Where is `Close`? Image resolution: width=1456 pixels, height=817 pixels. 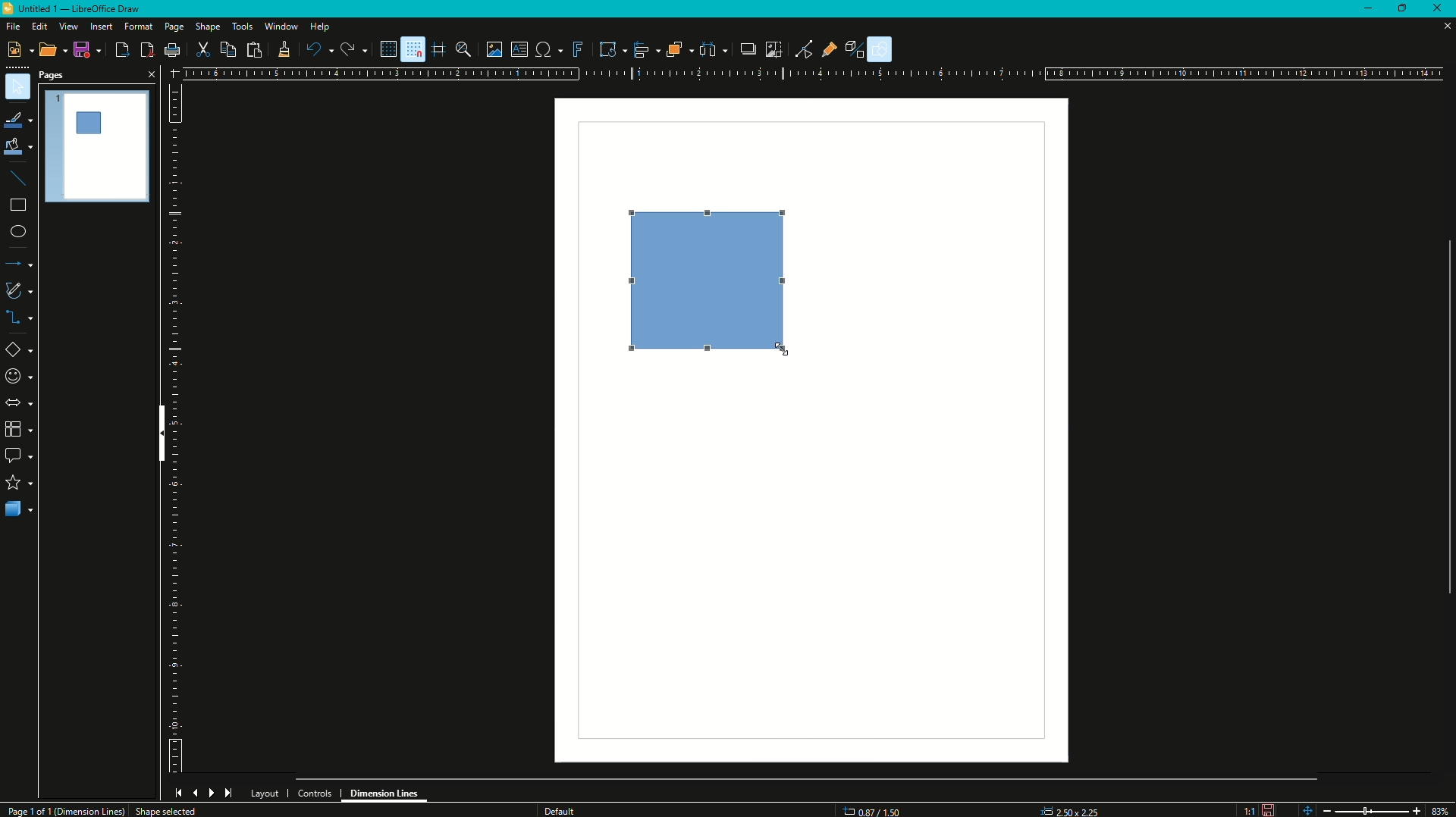
Close is located at coordinates (149, 74).